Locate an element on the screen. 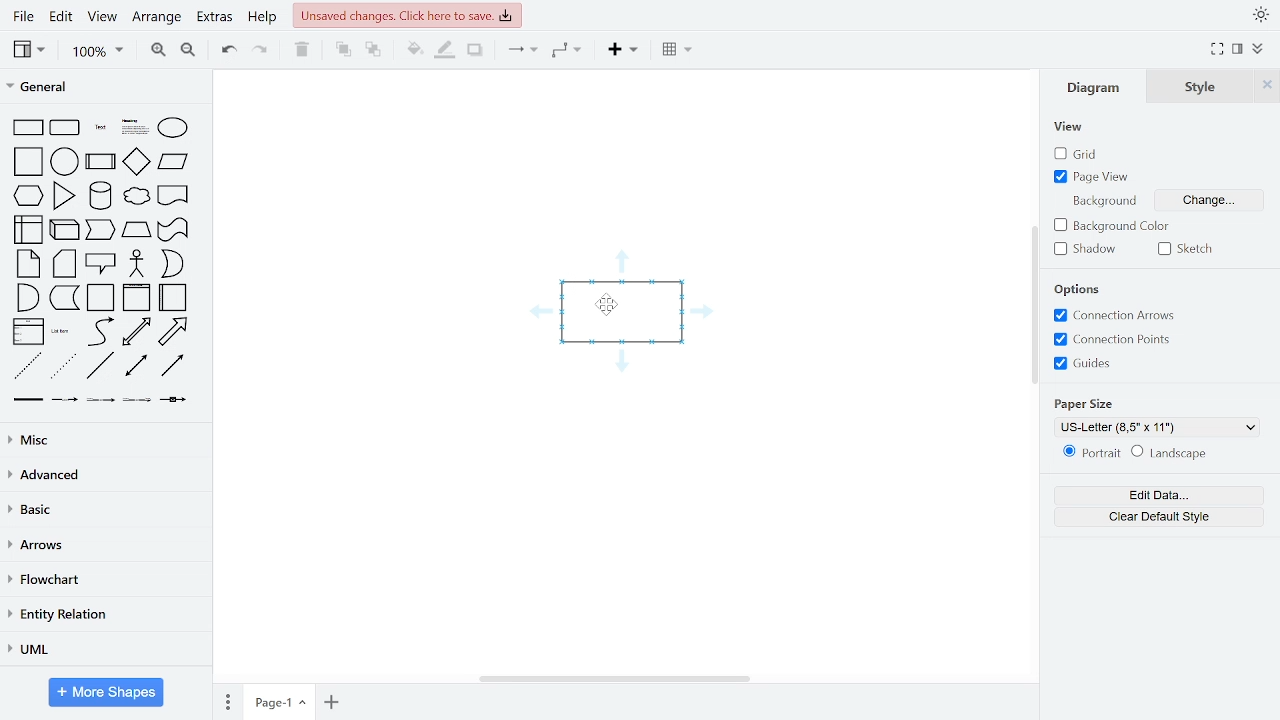 The width and height of the screenshot is (1280, 720). basic is located at coordinates (105, 512).